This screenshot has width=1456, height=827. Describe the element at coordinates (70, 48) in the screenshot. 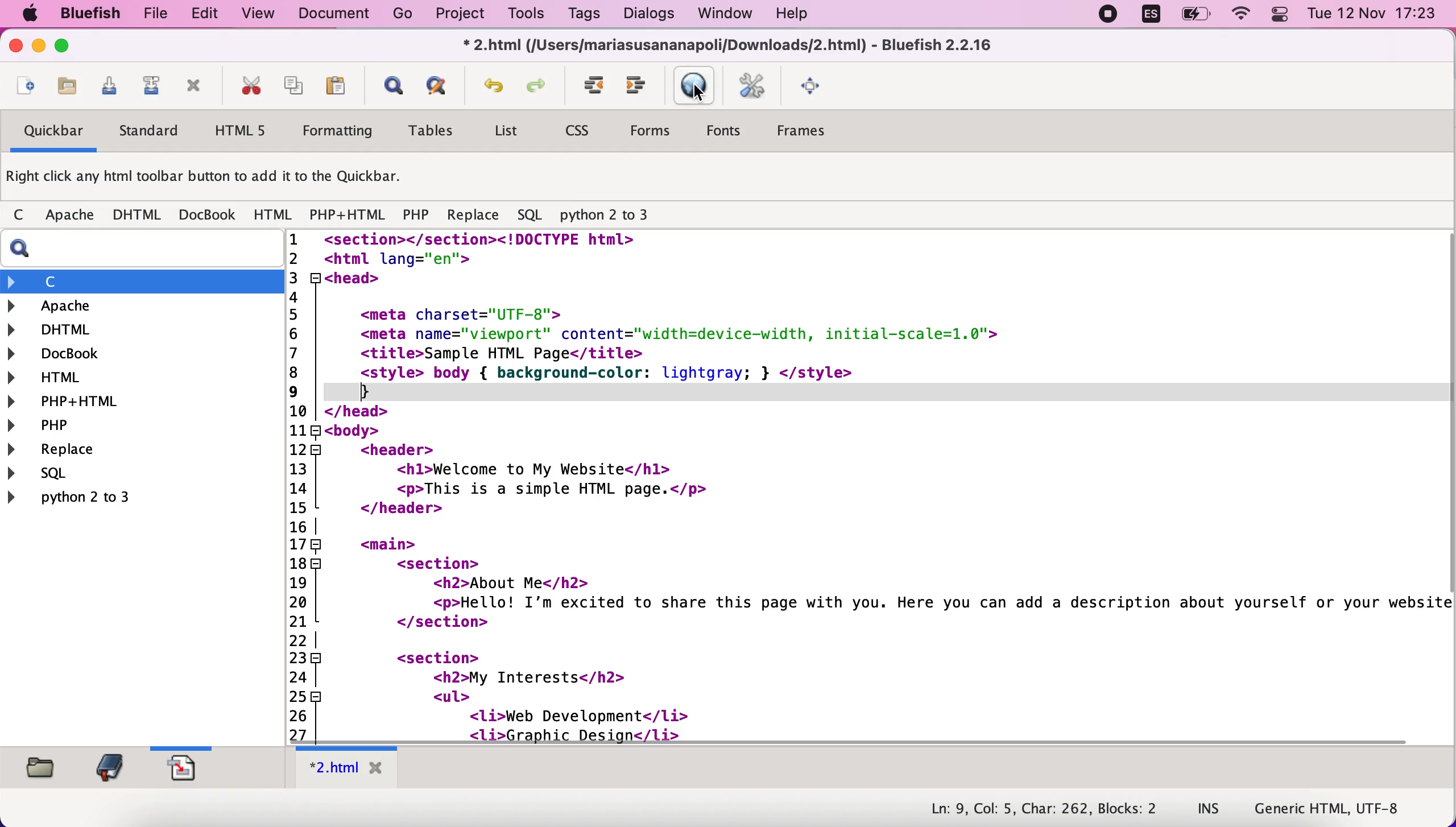

I see `maximize` at that location.